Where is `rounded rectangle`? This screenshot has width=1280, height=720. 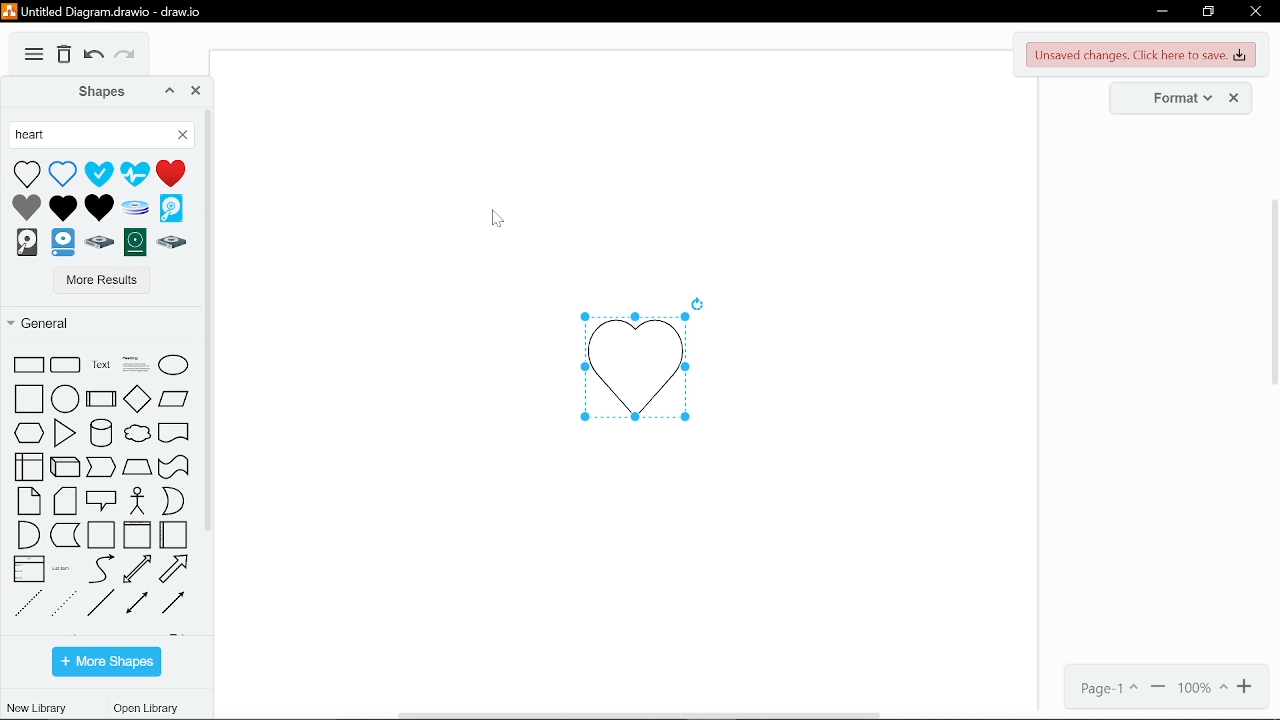
rounded rectangle is located at coordinates (65, 365).